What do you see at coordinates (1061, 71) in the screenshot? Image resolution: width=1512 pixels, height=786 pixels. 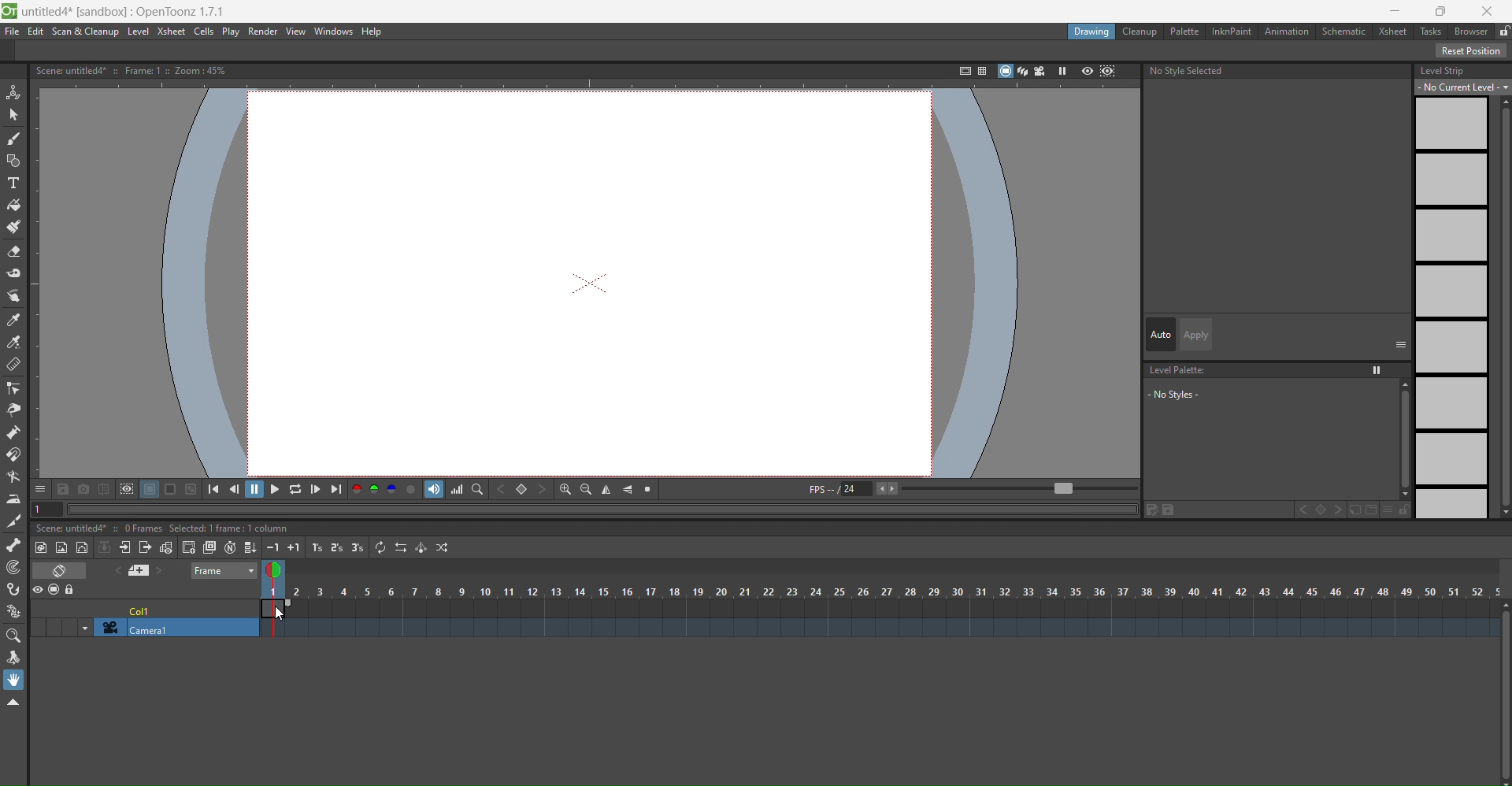 I see `freeze` at bounding box center [1061, 71].